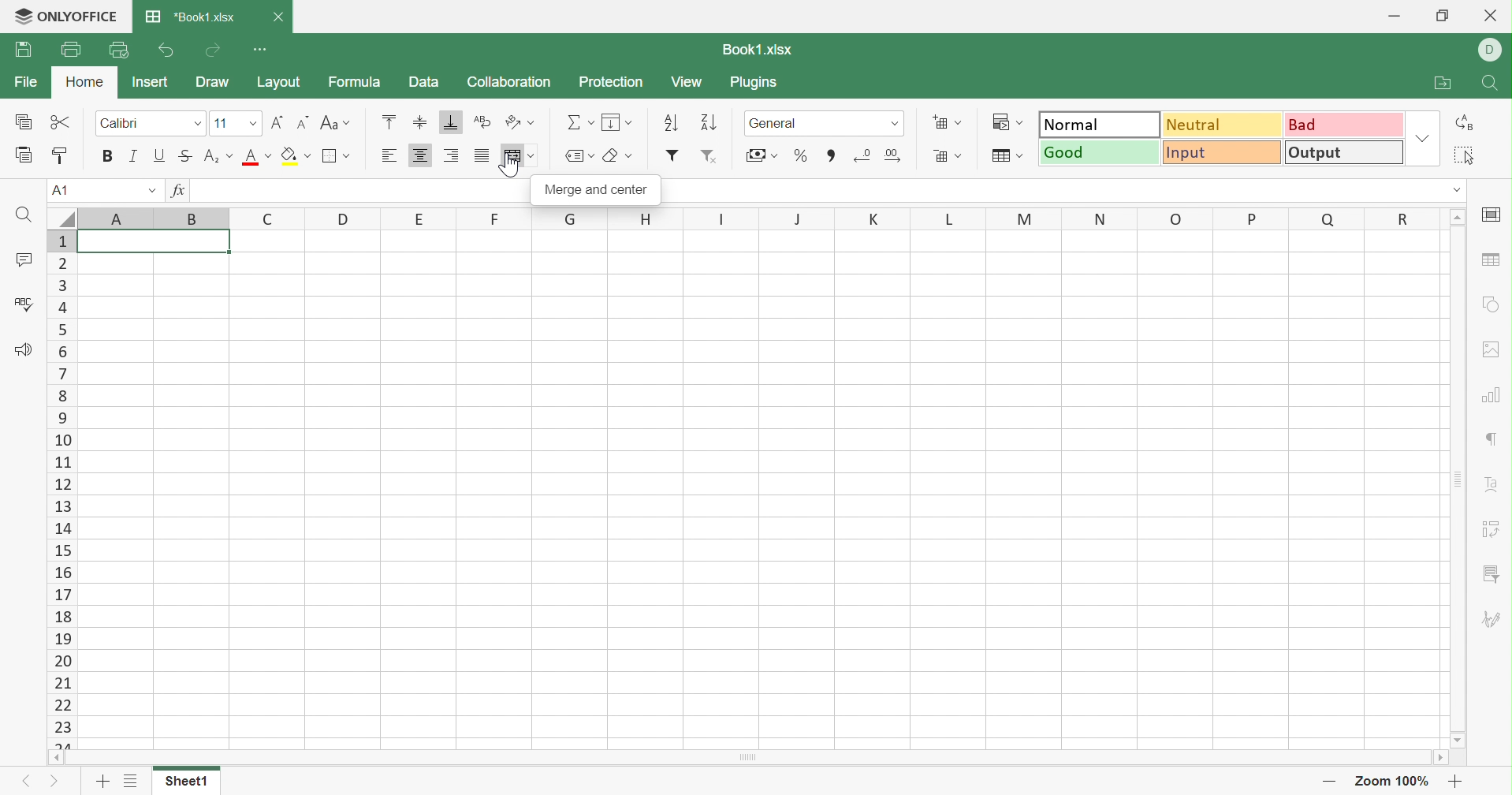 This screenshot has width=1512, height=795. Describe the element at coordinates (611, 84) in the screenshot. I see `Protection` at that location.